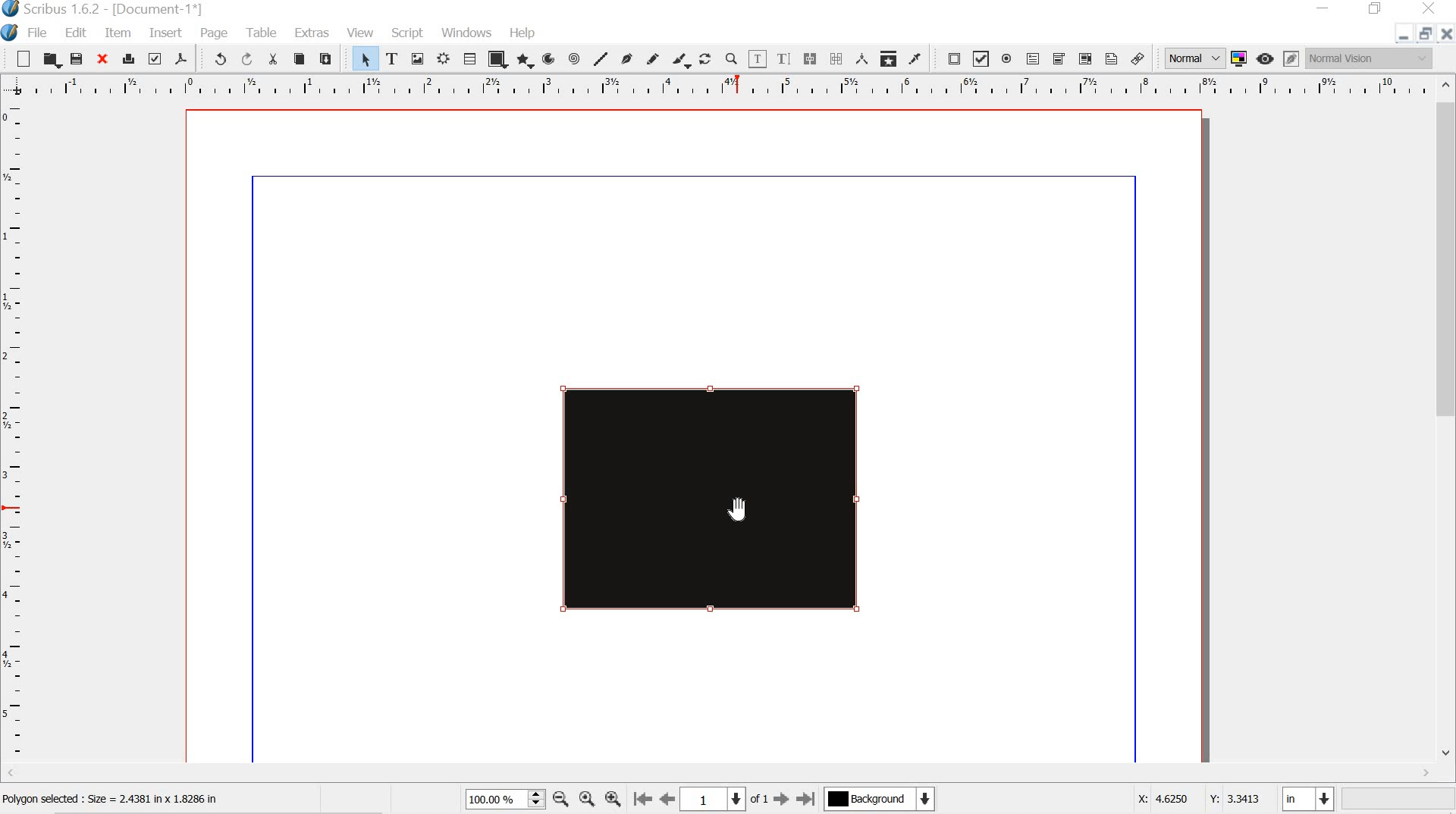  Describe the element at coordinates (1034, 58) in the screenshot. I see `pdf text field` at that location.